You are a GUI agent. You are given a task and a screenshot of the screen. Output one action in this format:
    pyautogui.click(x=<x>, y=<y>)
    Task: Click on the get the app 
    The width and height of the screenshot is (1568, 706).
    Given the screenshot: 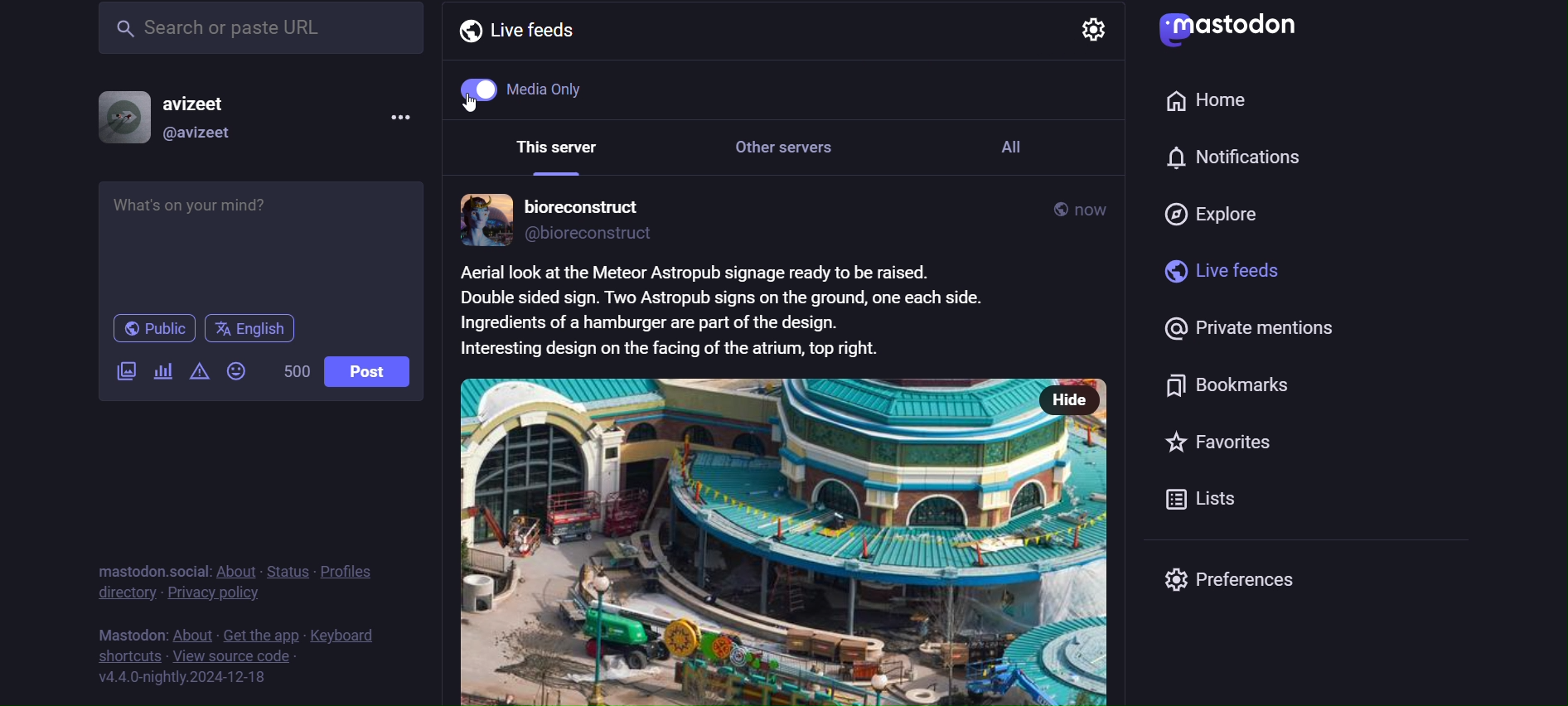 What is the action you would take?
    pyautogui.click(x=259, y=627)
    